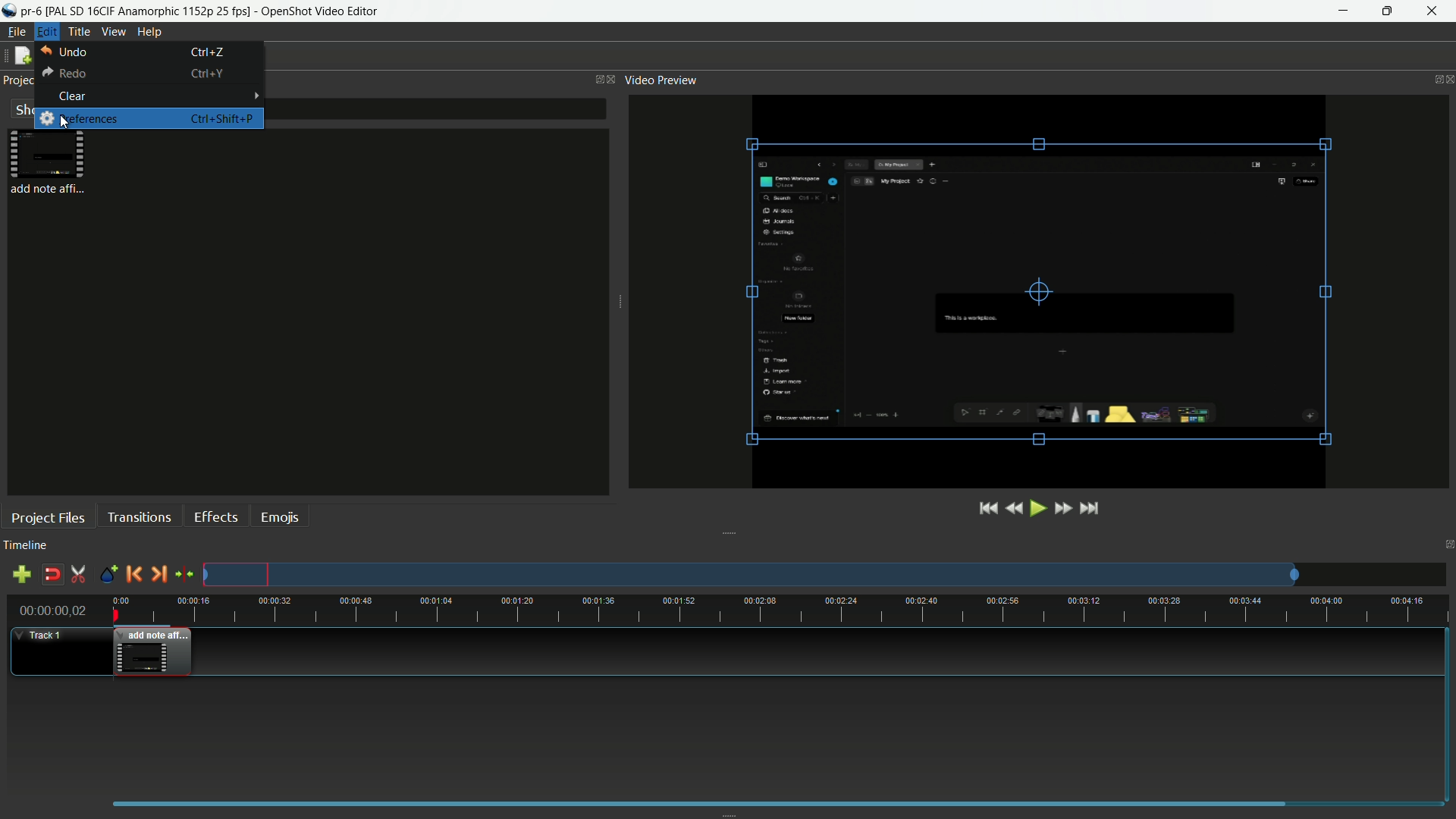  Describe the element at coordinates (1345, 11) in the screenshot. I see `minimize` at that location.